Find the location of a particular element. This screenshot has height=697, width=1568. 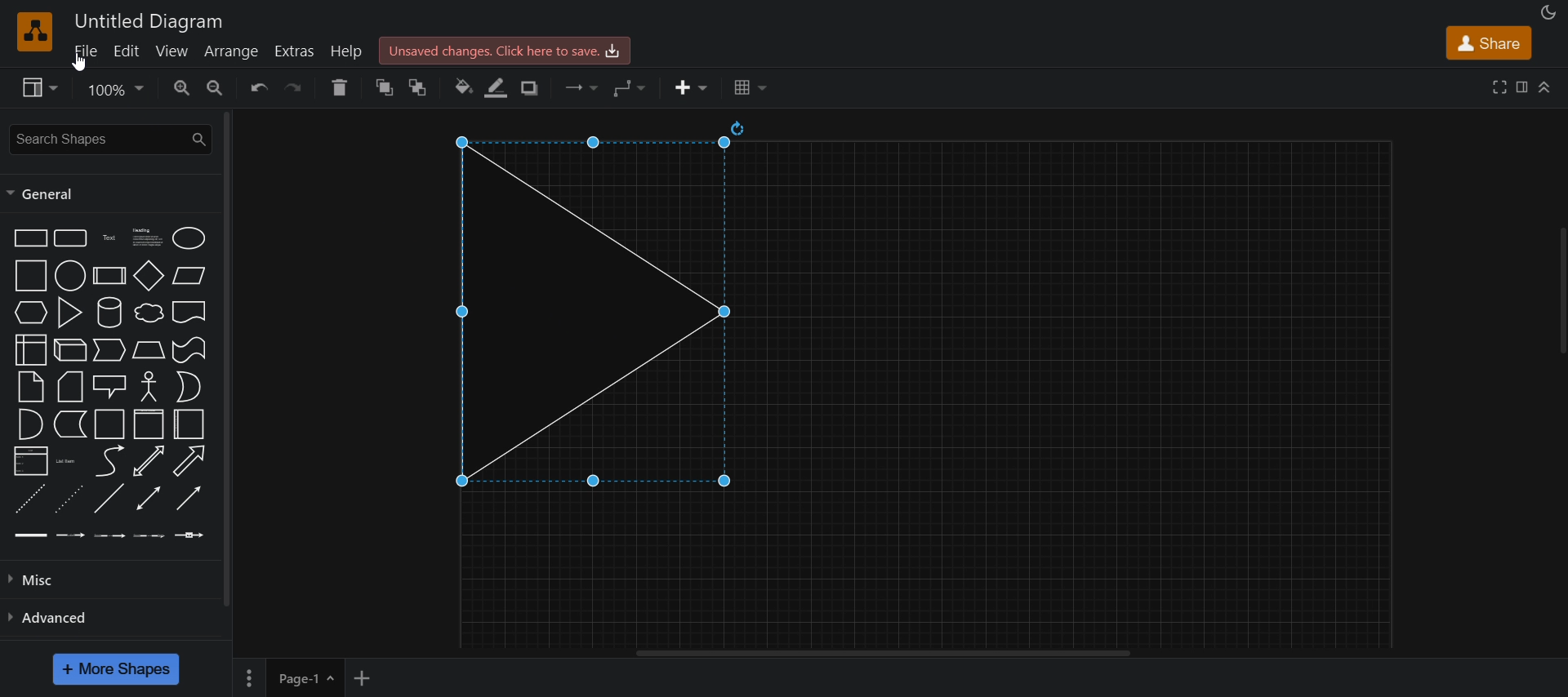

horizontal scroll bar is located at coordinates (889, 654).